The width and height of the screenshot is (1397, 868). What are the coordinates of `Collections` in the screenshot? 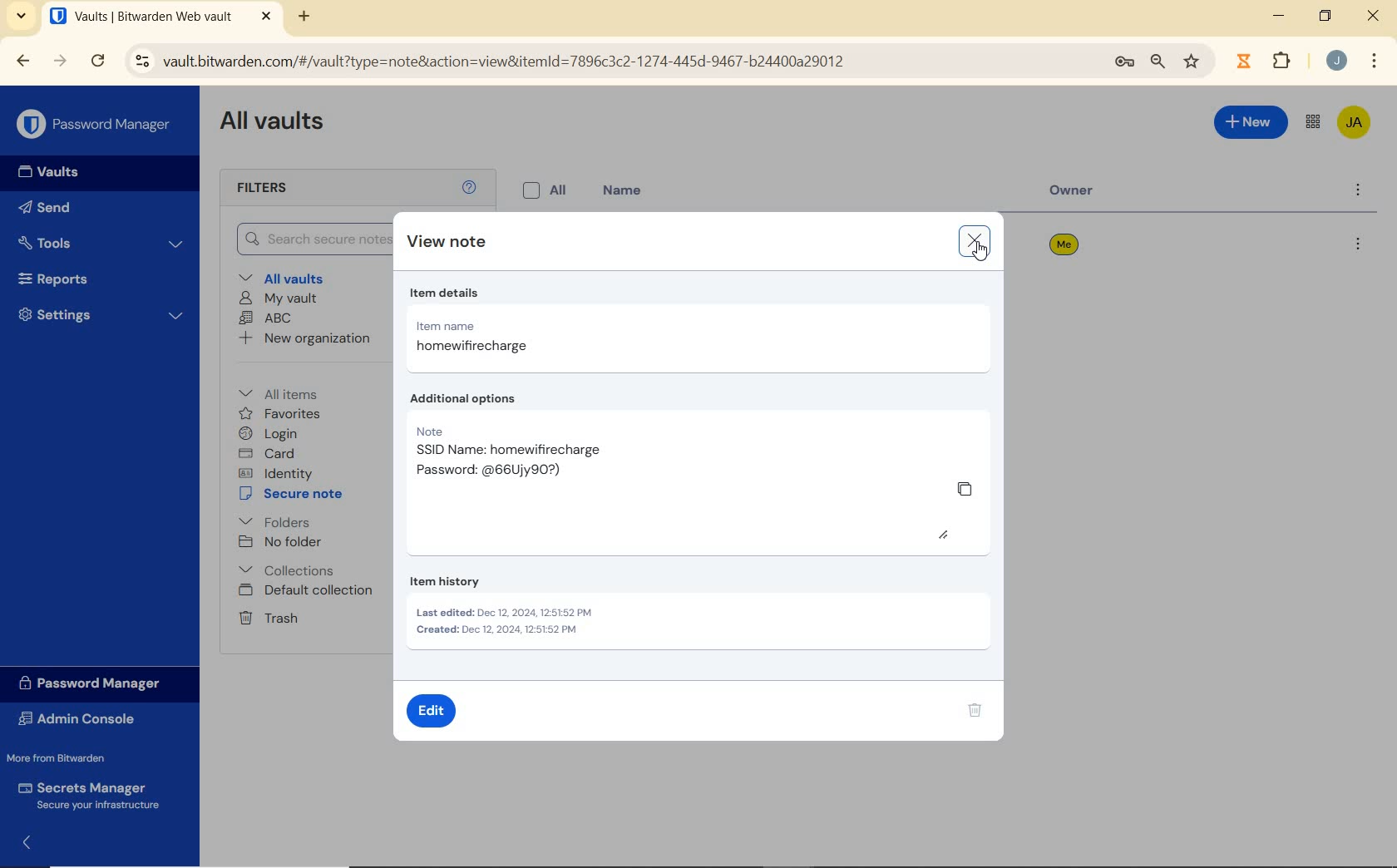 It's located at (290, 570).